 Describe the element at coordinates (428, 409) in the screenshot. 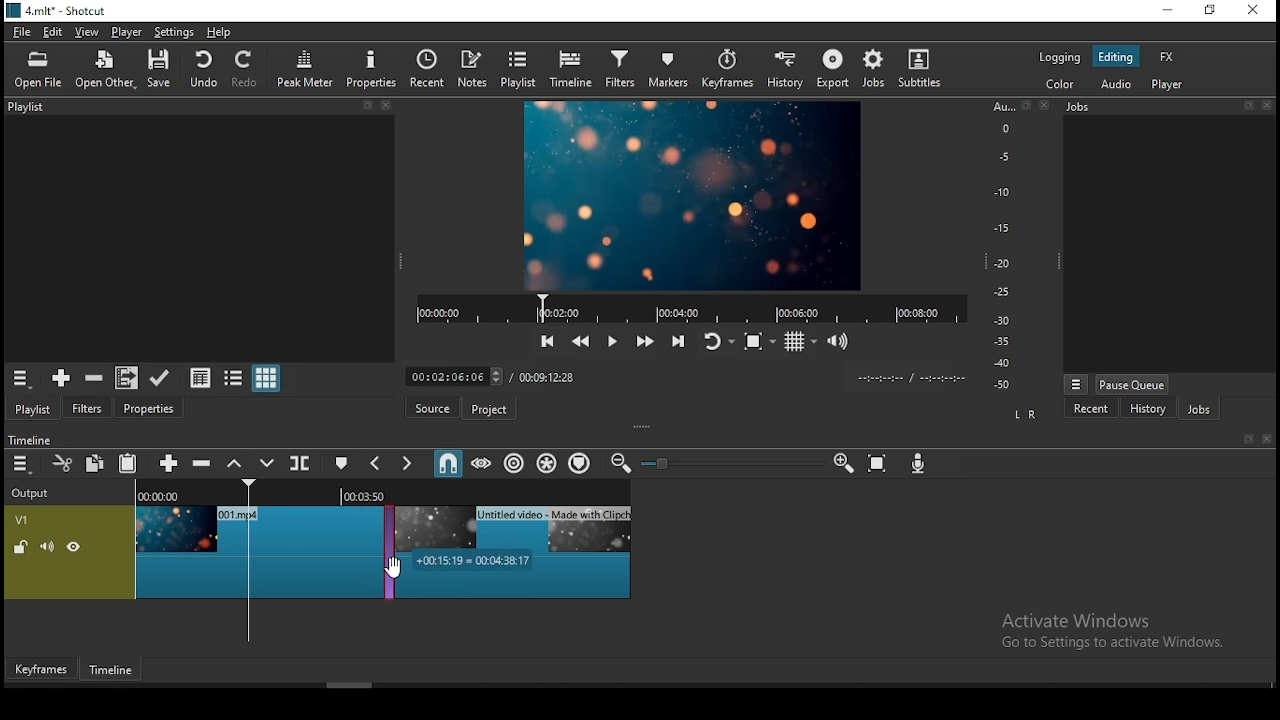

I see `source` at that location.